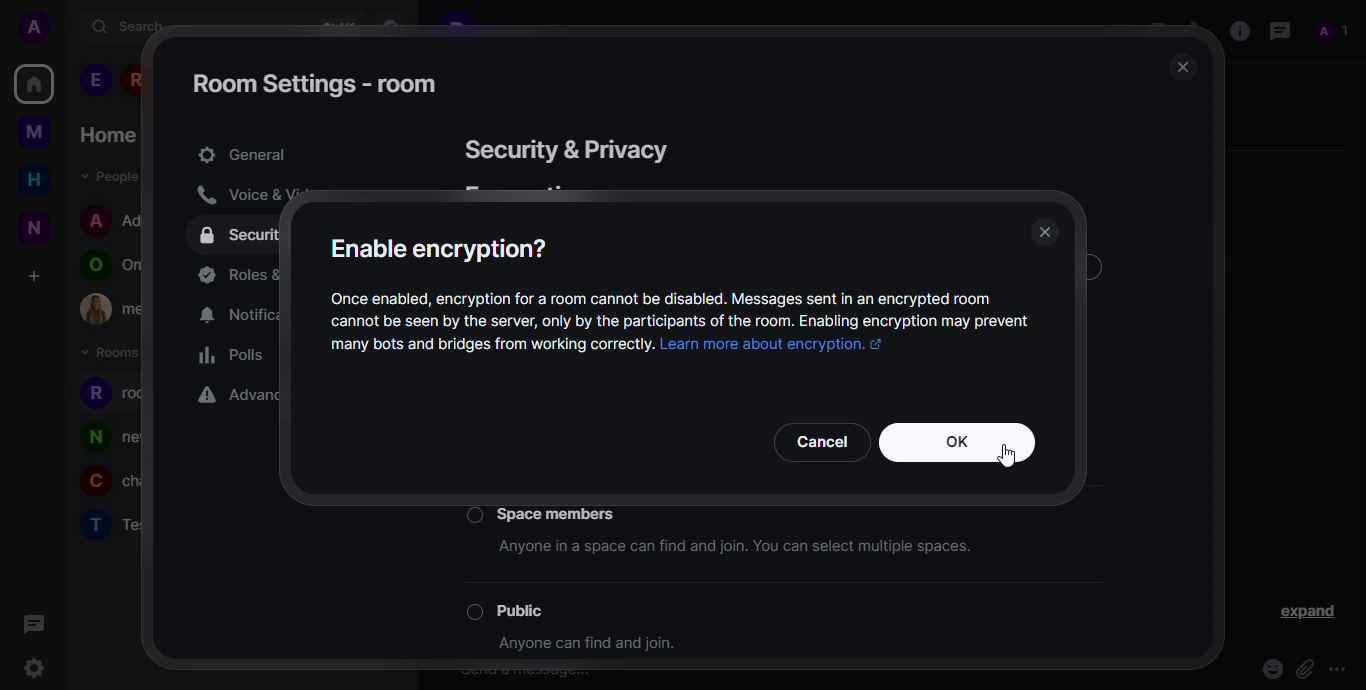 This screenshot has height=690, width=1366. What do you see at coordinates (34, 179) in the screenshot?
I see `home` at bounding box center [34, 179].